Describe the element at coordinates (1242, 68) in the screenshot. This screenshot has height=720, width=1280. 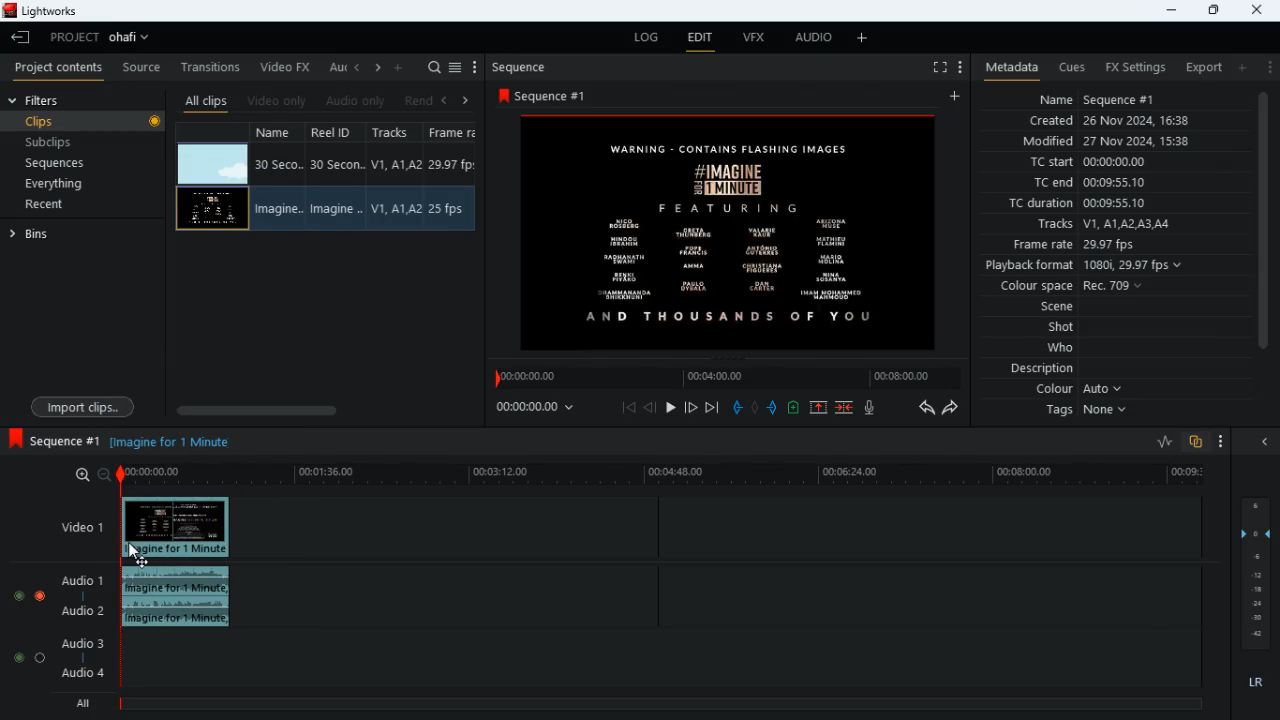
I see `add` at that location.